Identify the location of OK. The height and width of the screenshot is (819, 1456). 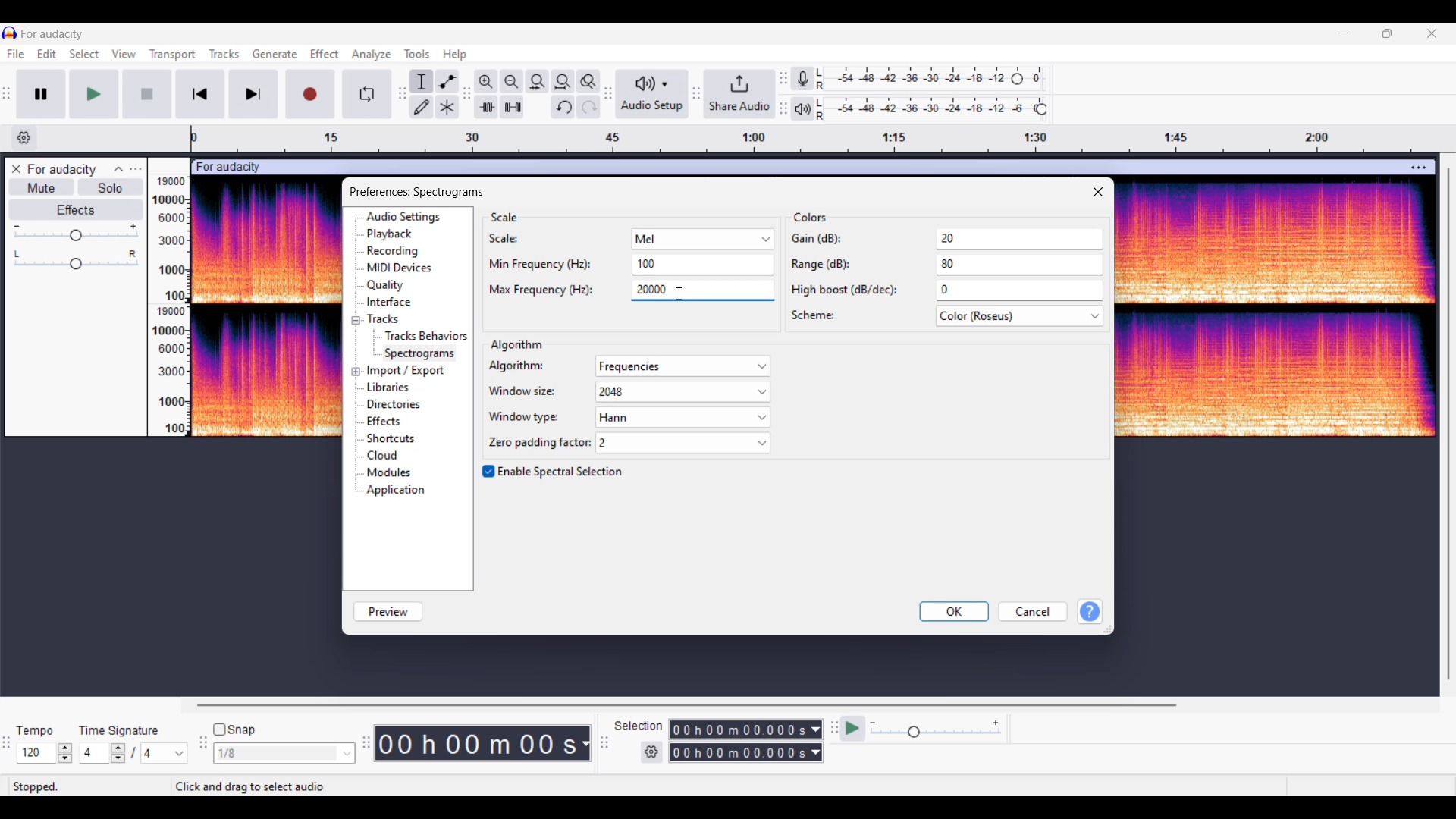
(954, 611).